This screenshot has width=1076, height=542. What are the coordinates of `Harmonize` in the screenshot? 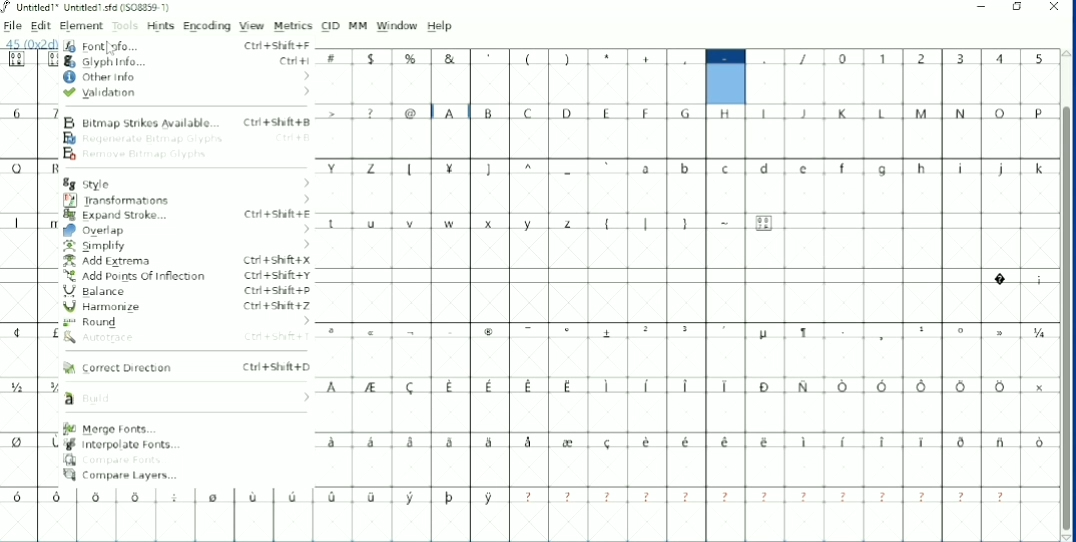 It's located at (187, 307).